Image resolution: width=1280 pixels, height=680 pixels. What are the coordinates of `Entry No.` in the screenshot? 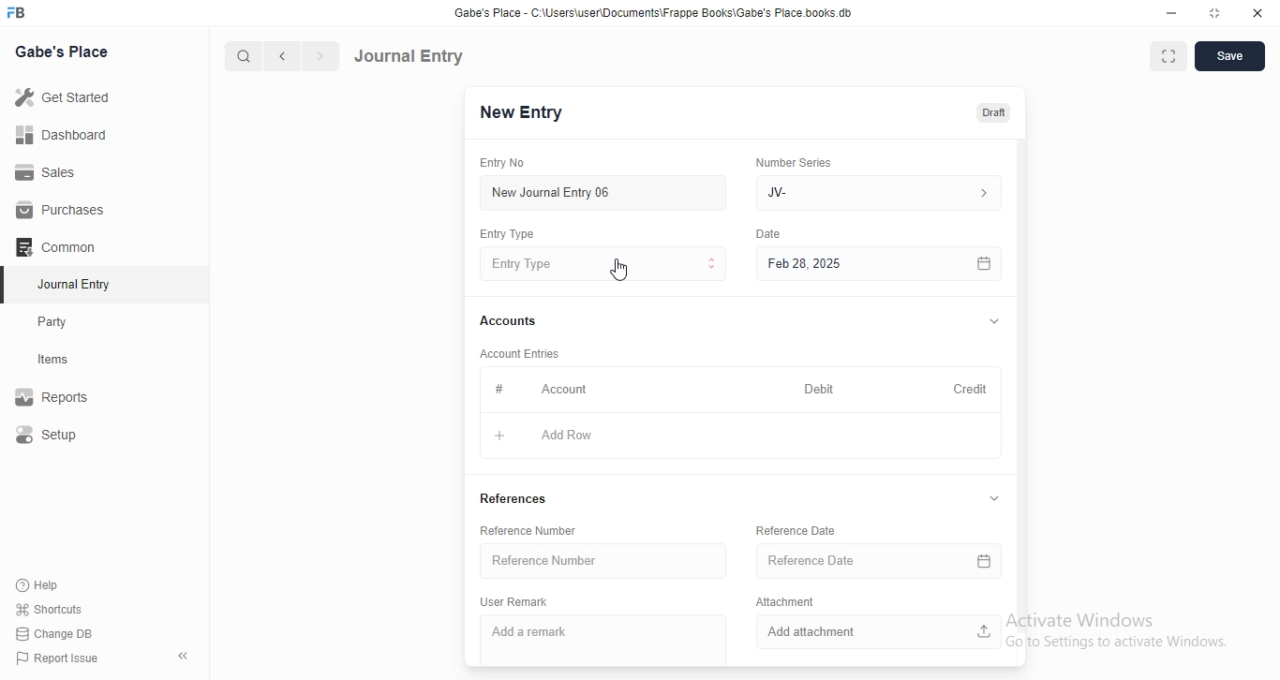 It's located at (508, 163).